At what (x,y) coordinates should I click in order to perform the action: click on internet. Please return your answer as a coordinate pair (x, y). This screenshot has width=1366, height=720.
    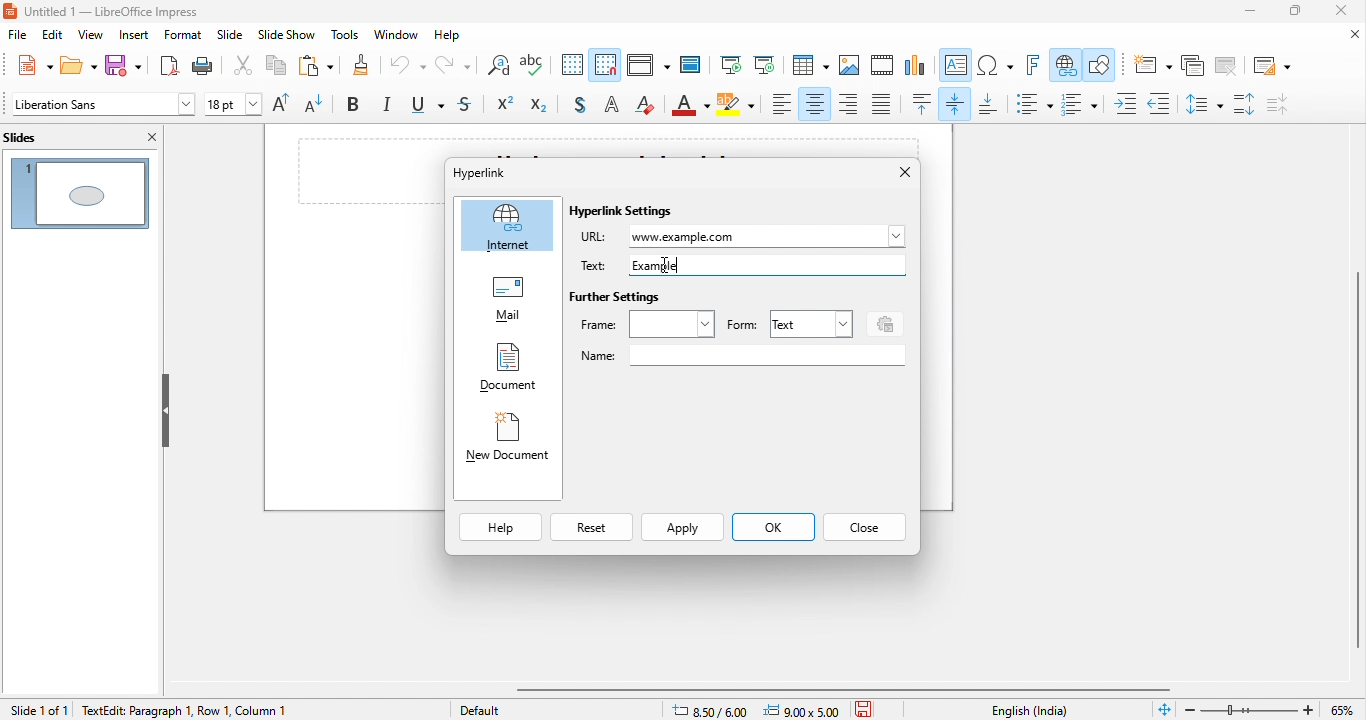
    Looking at the image, I should click on (508, 226).